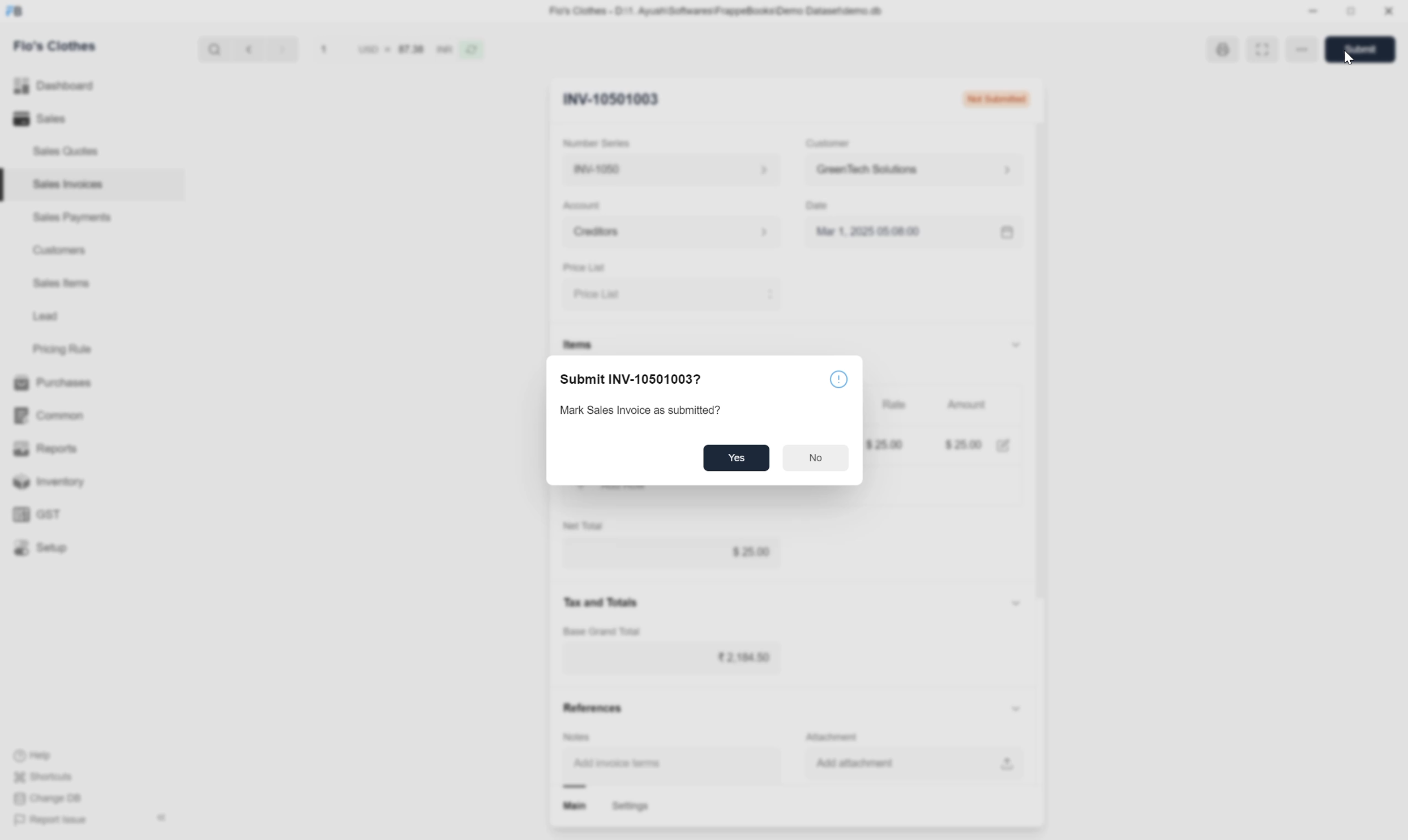 This screenshot has height=840, width=1408. I want to click on Yes, so click(734, 459).